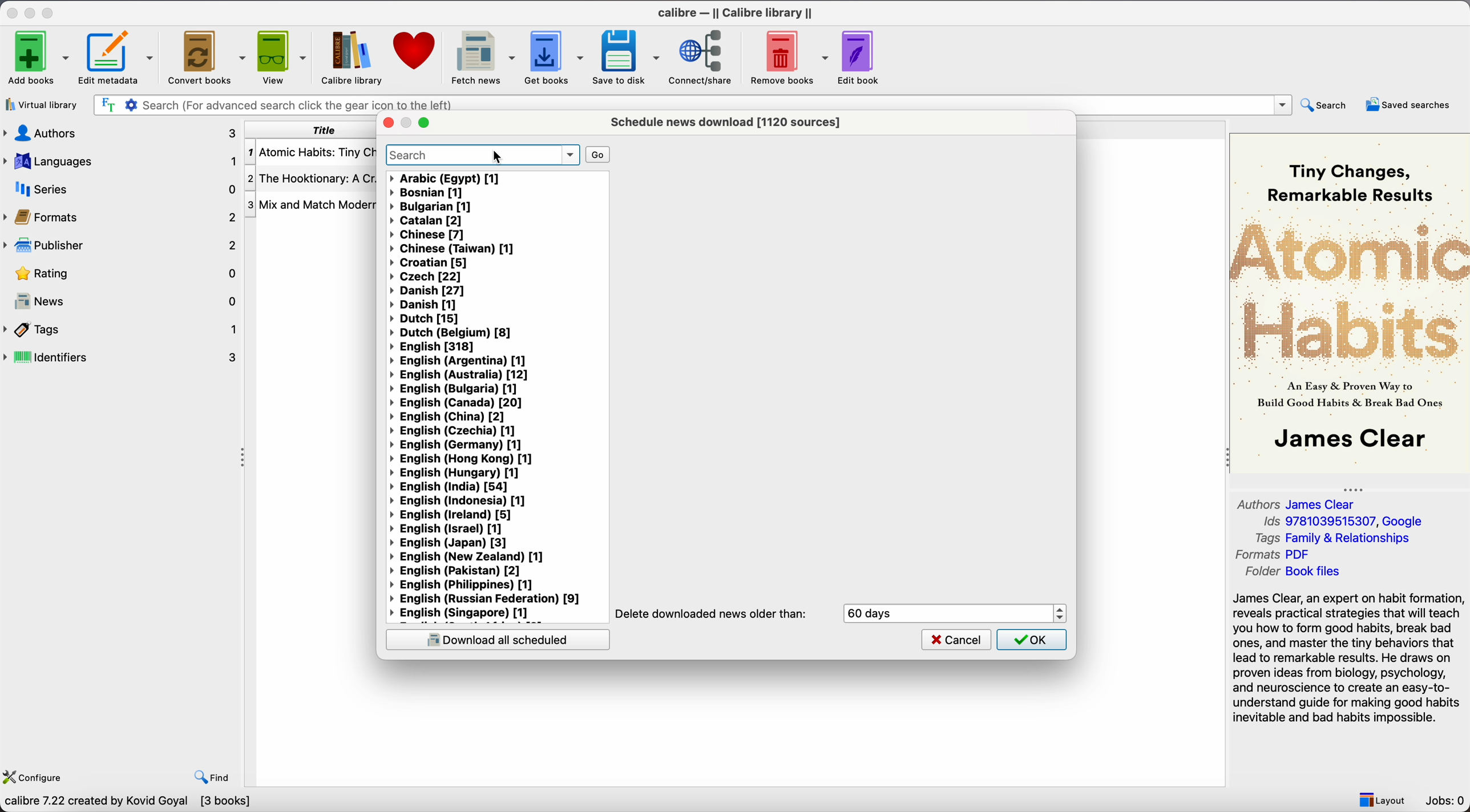 This screenshot has width=1470, height=812. What do you see at coordinates (312, 153) in the screenshot?
I see `Atomic Habits: Tiny Ch...` at bounding box center [312, 153].